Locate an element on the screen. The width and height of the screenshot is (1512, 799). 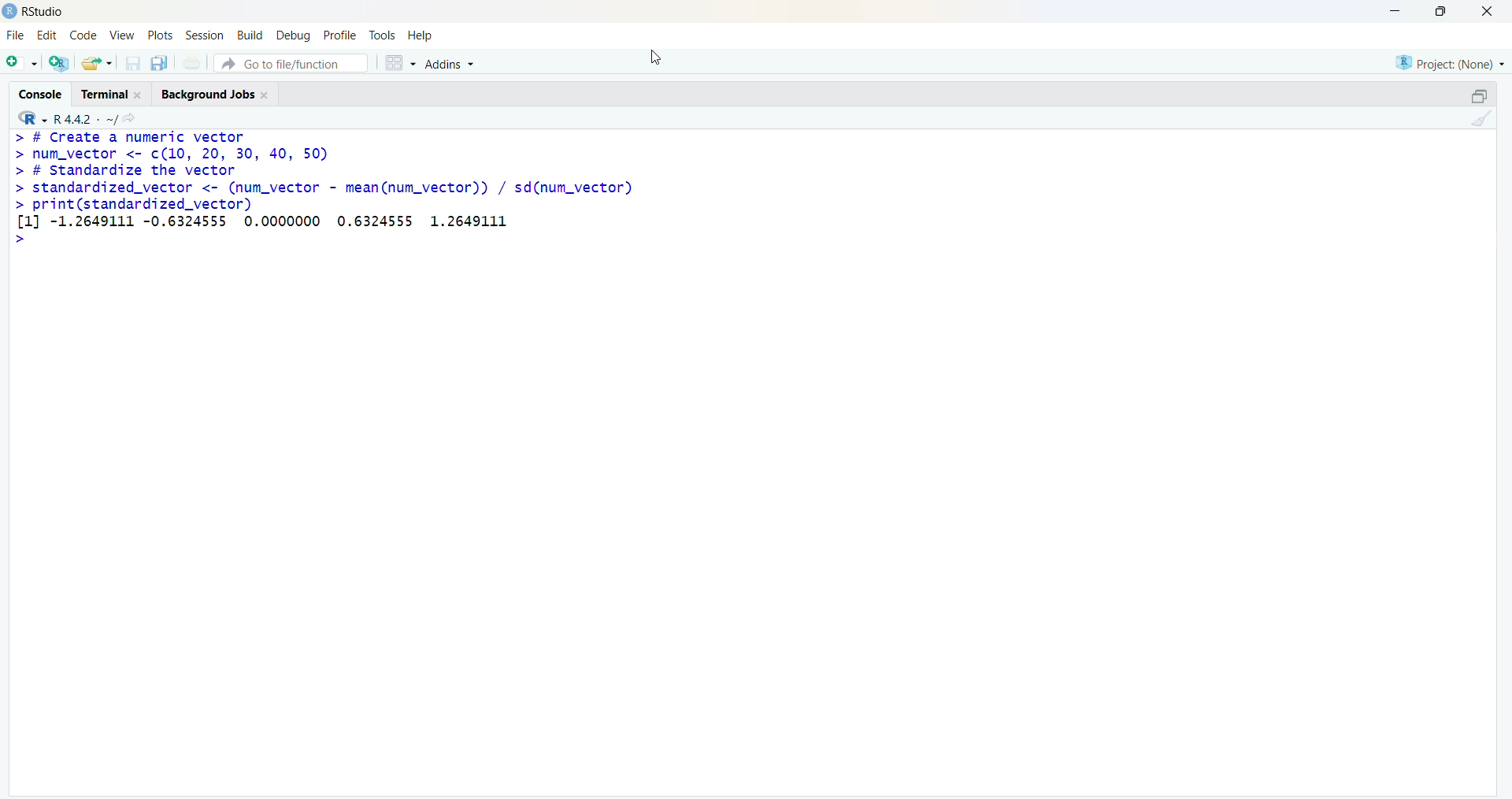
save is located at coordinates (132, 63).